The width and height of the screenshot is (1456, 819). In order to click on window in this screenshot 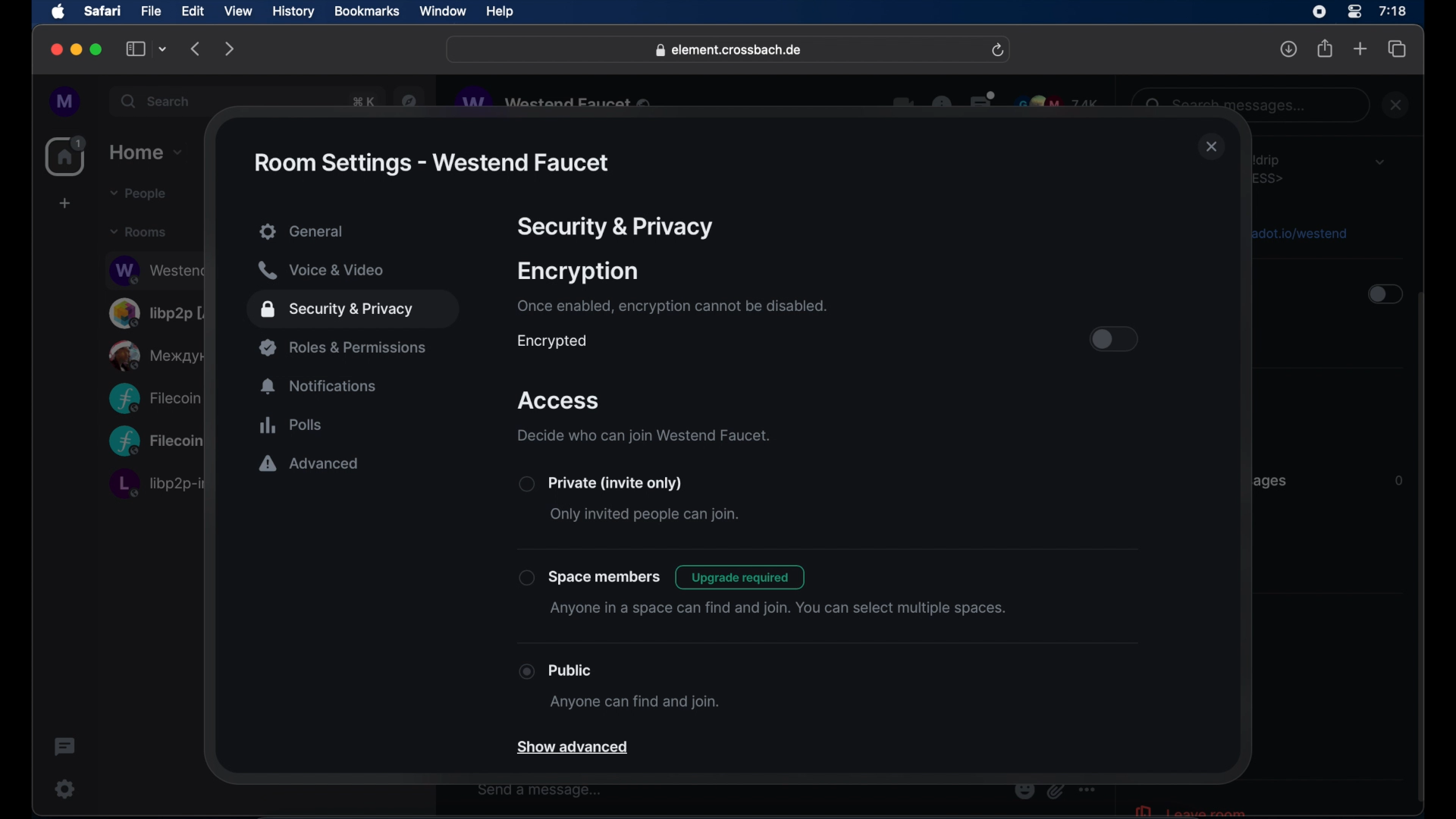, I will do `click(443, 11)`.